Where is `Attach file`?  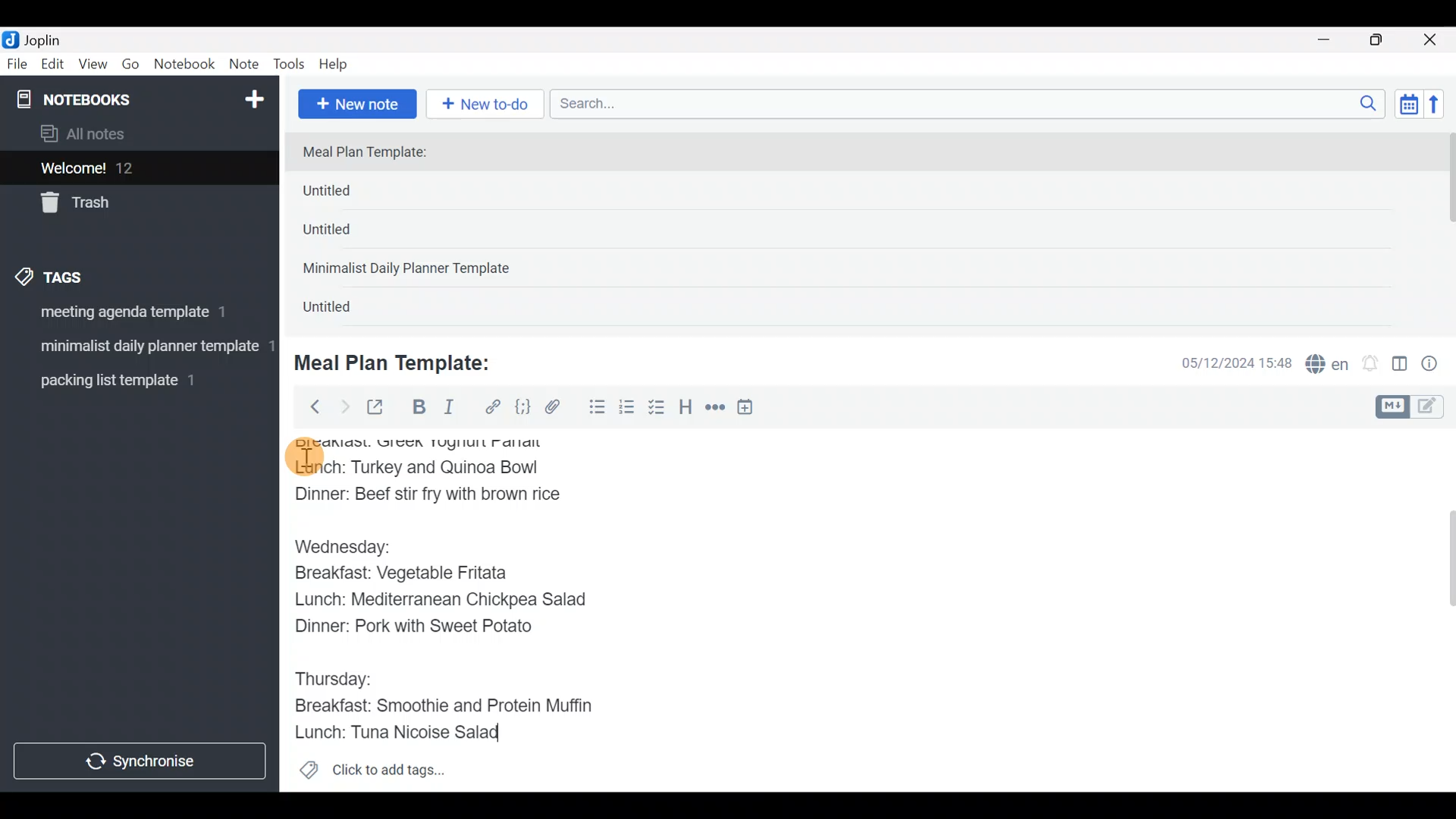 Attach file is located at coordinates (557, 409).